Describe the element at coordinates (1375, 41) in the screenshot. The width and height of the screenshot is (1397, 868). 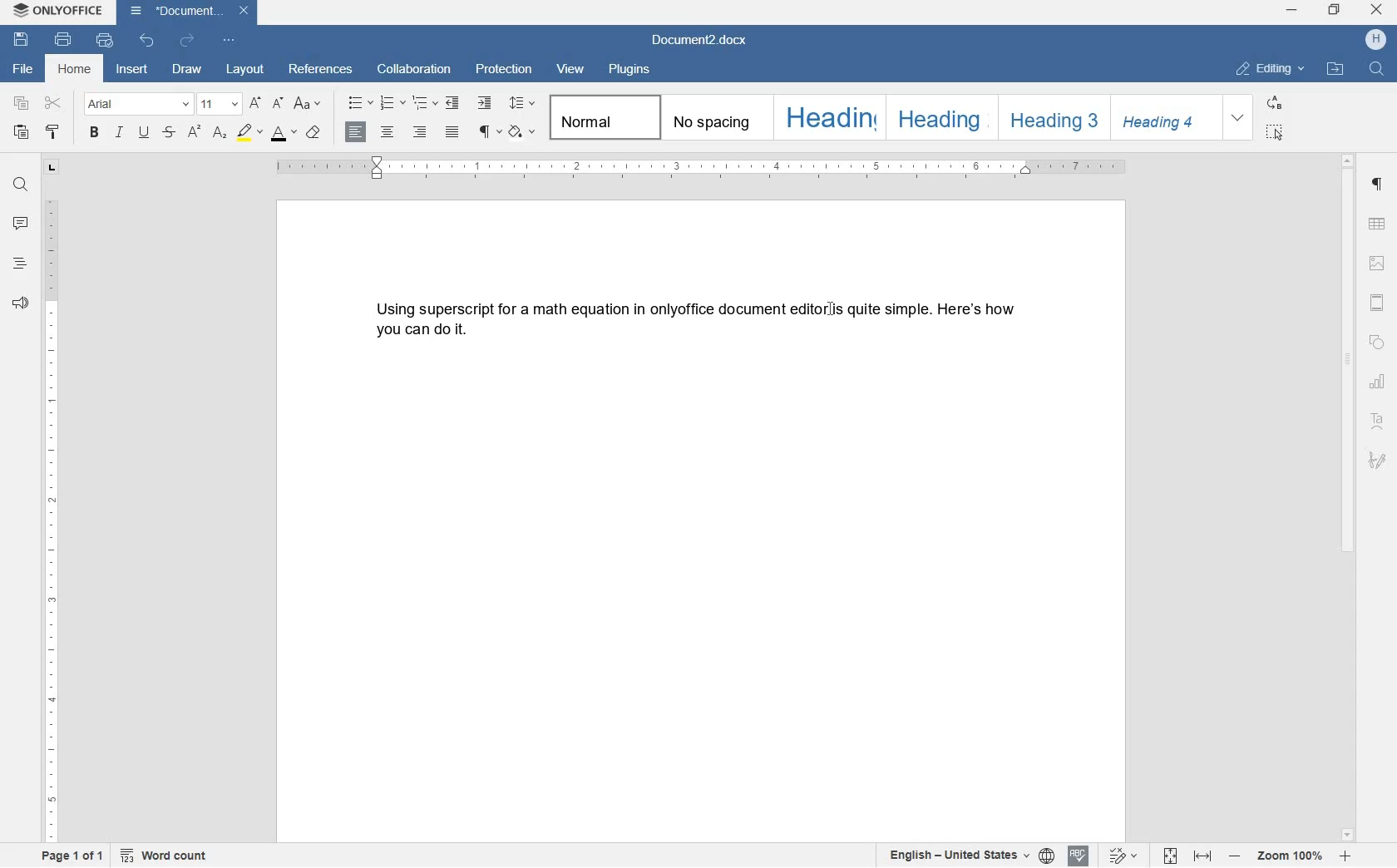
I see `HP` at that location.